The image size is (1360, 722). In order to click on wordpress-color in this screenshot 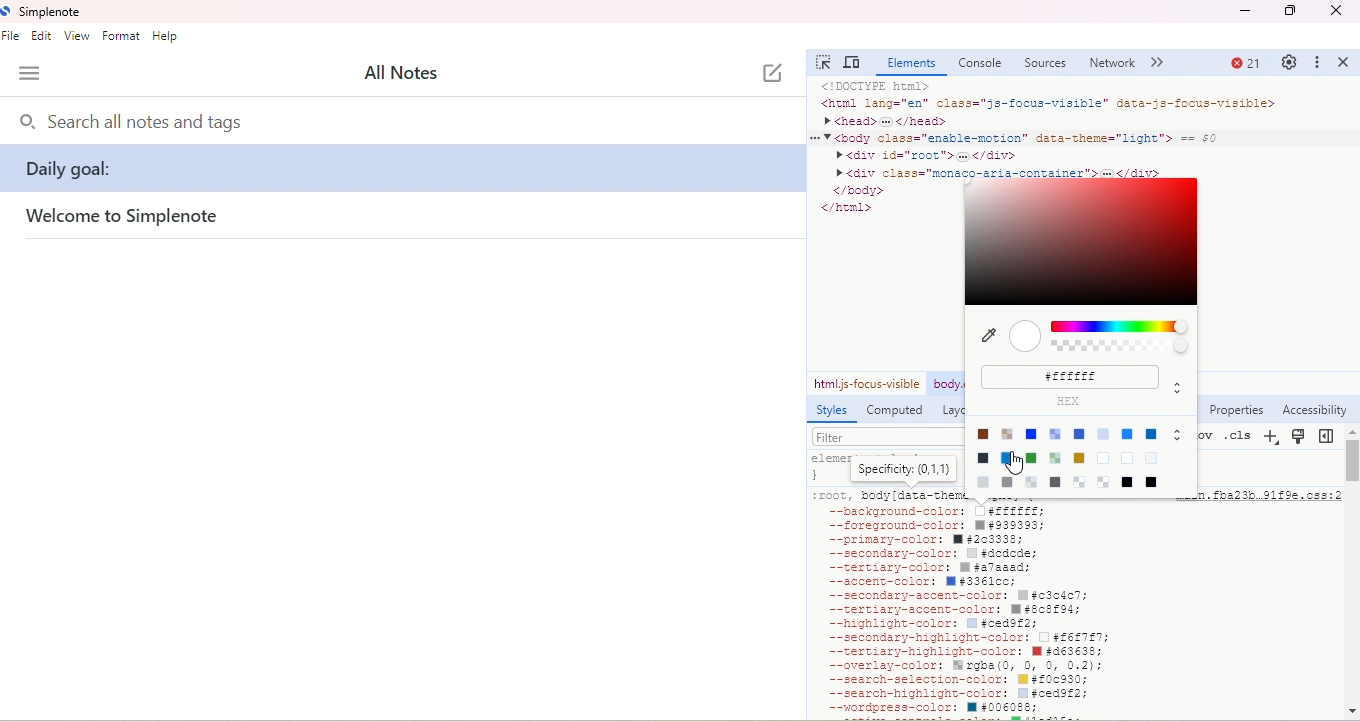, I will do `click(937, 708)`.